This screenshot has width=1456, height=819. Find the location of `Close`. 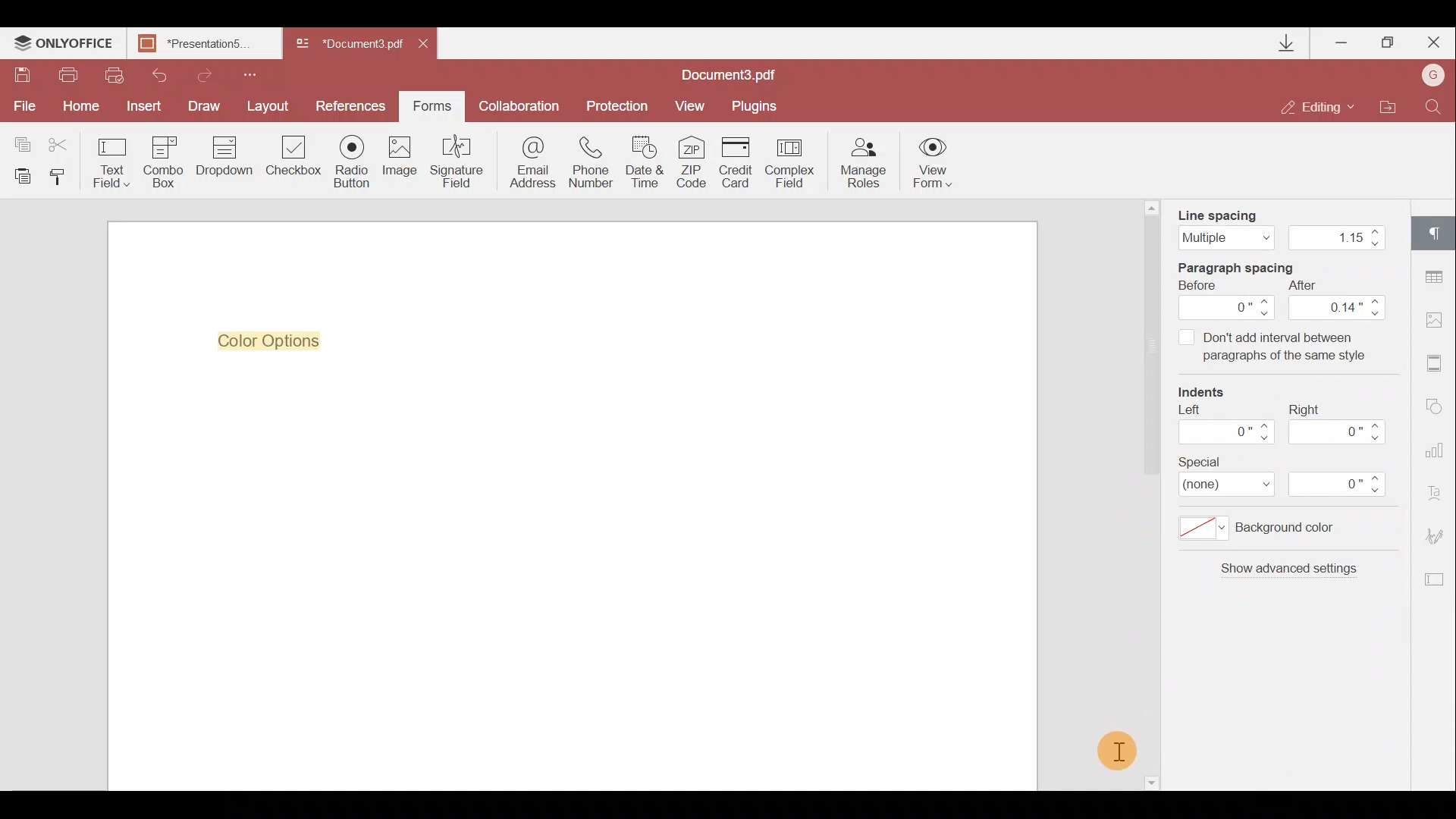

Close is located at coordinates (1432, 43).